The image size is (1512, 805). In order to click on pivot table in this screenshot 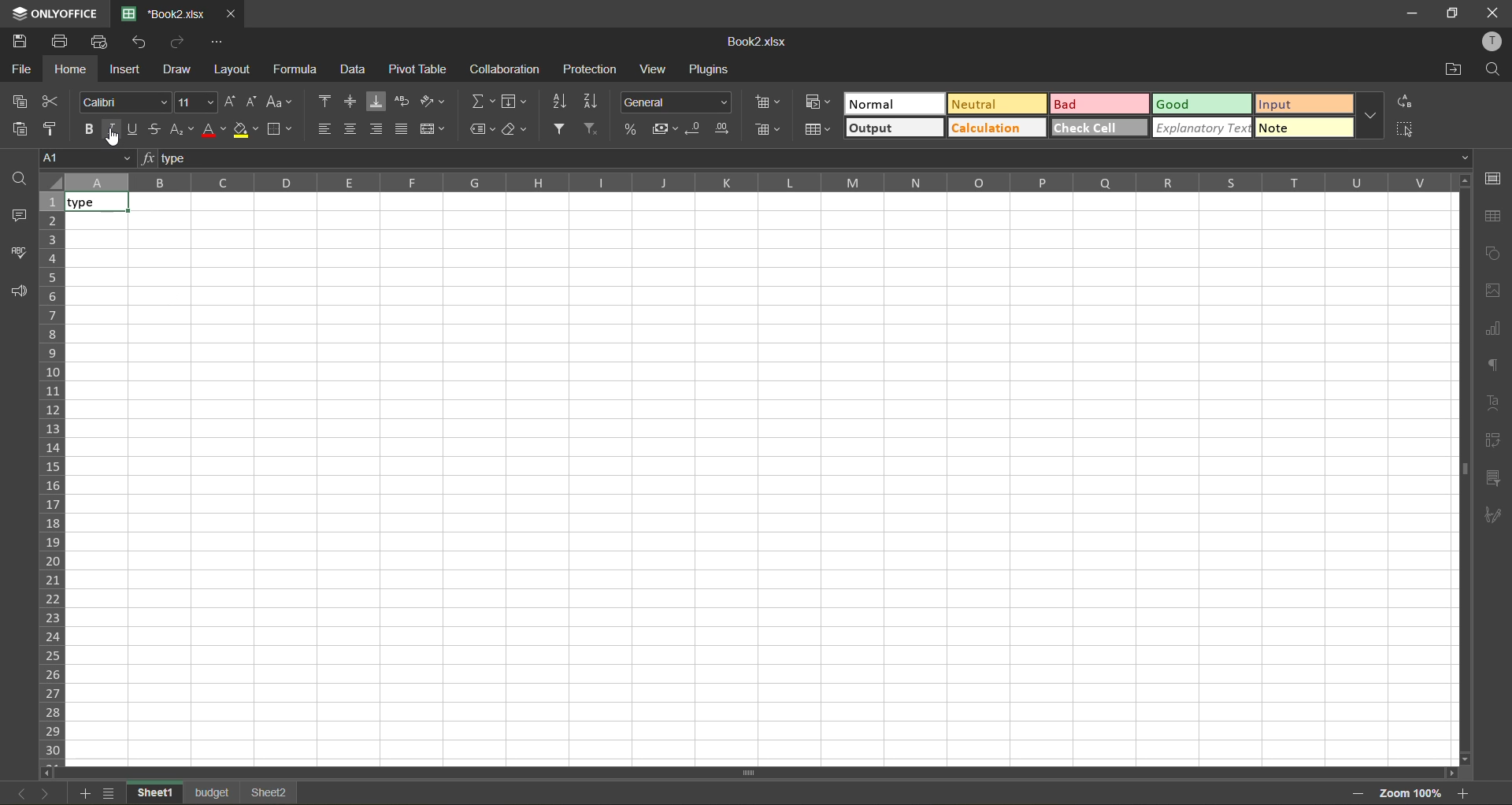, I will do `click(1498, 441)`.